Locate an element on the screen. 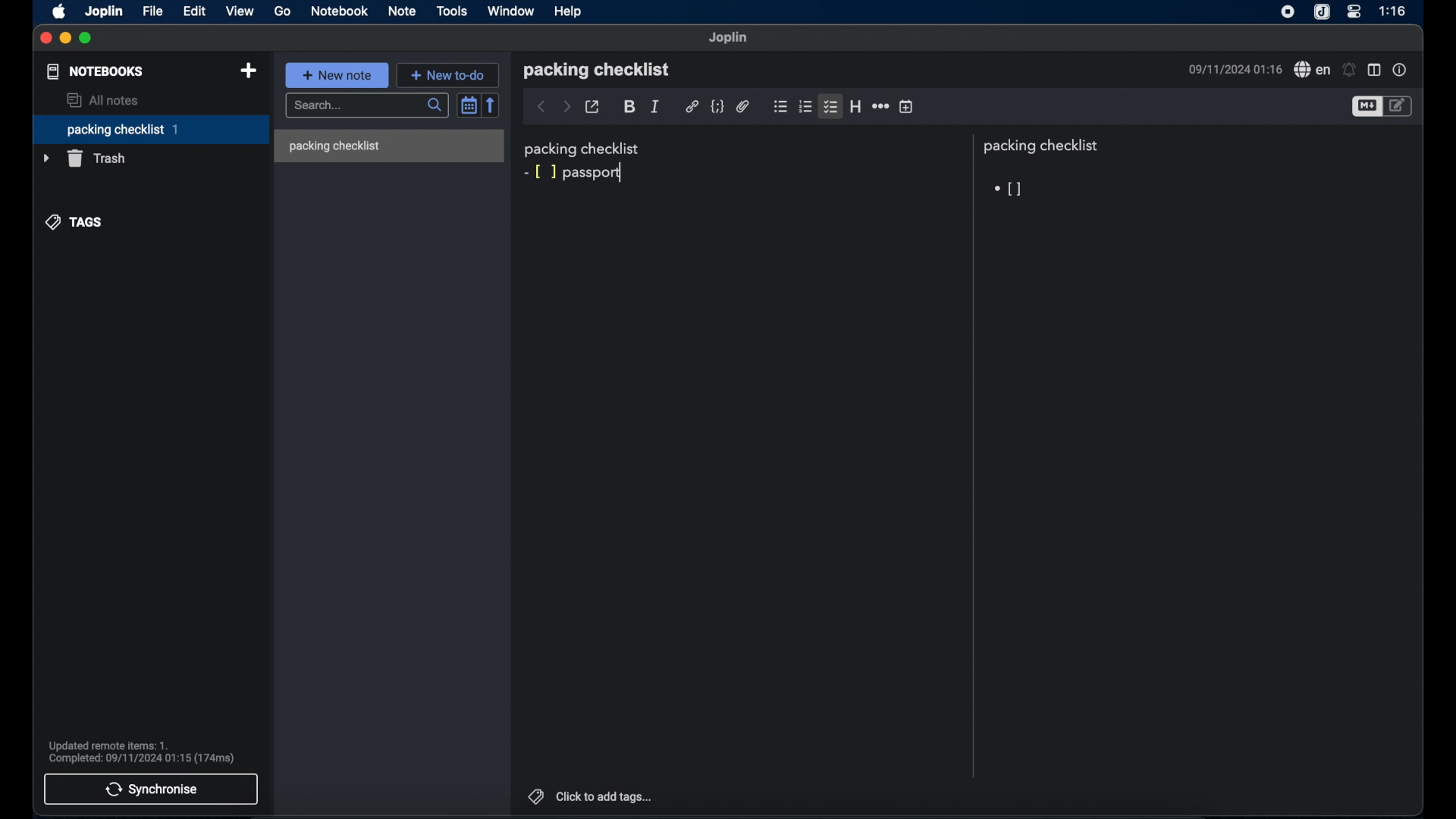 The image size is (1456, 819). go is located at coordinates (282, 11).